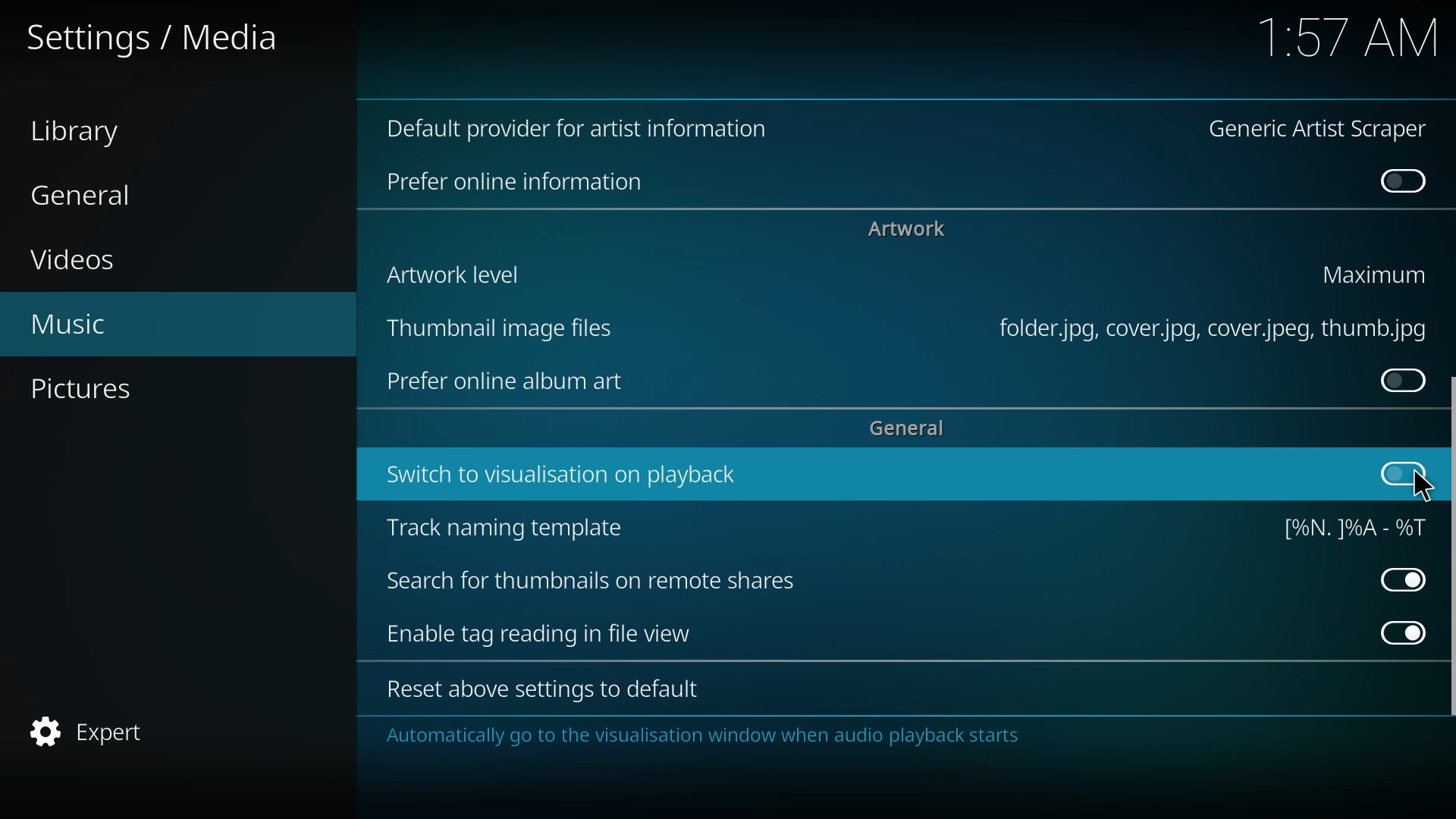 This screenshot has height=819, width=1456. I want to click on music, so click(68, 325).